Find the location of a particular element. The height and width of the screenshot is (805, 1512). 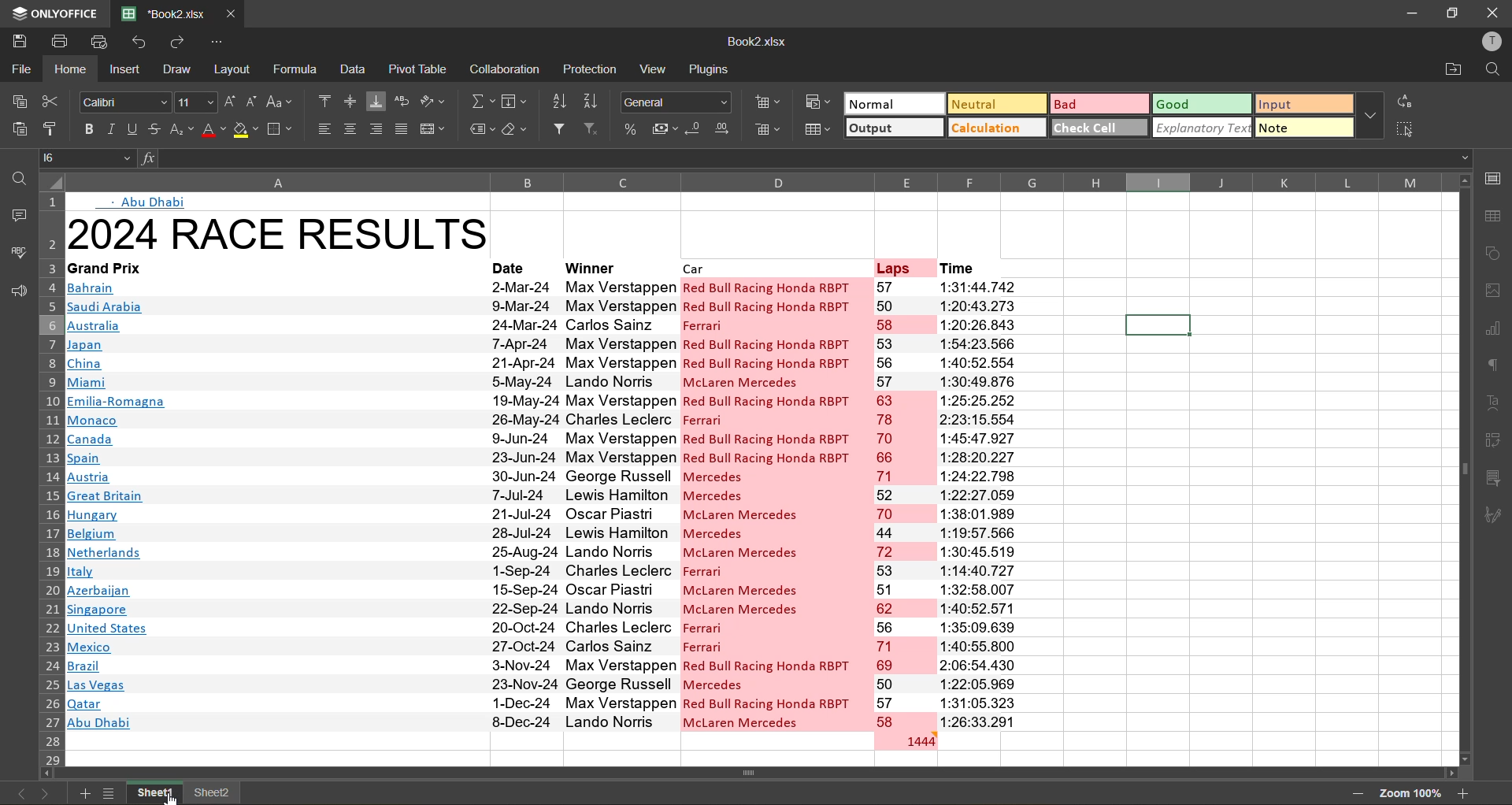

previous is located at coordinates (17, 793).